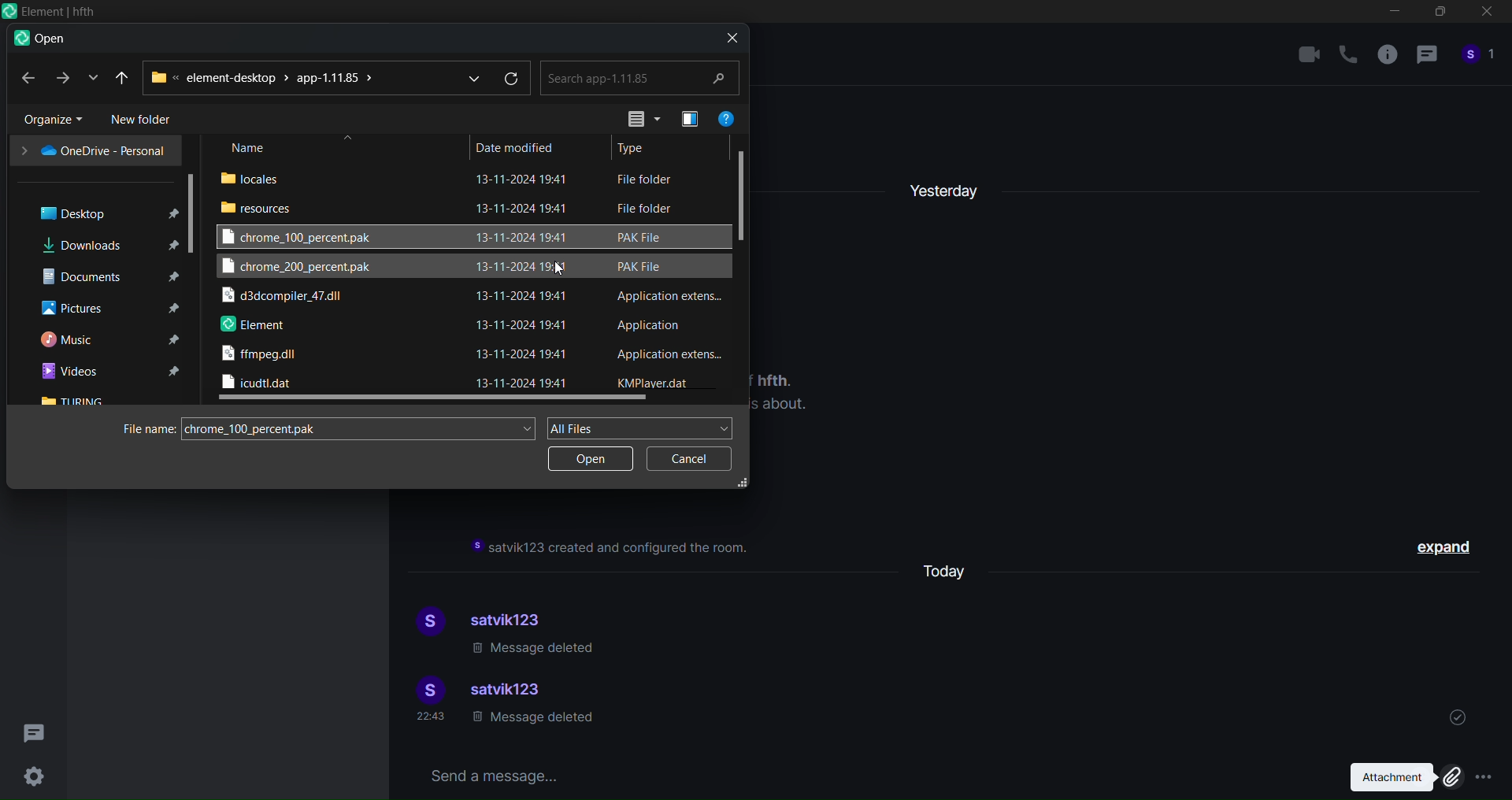 Image resolution: width=1512 pixels, height=800 pixels. I want to click on turing folder, so click(76, 401).